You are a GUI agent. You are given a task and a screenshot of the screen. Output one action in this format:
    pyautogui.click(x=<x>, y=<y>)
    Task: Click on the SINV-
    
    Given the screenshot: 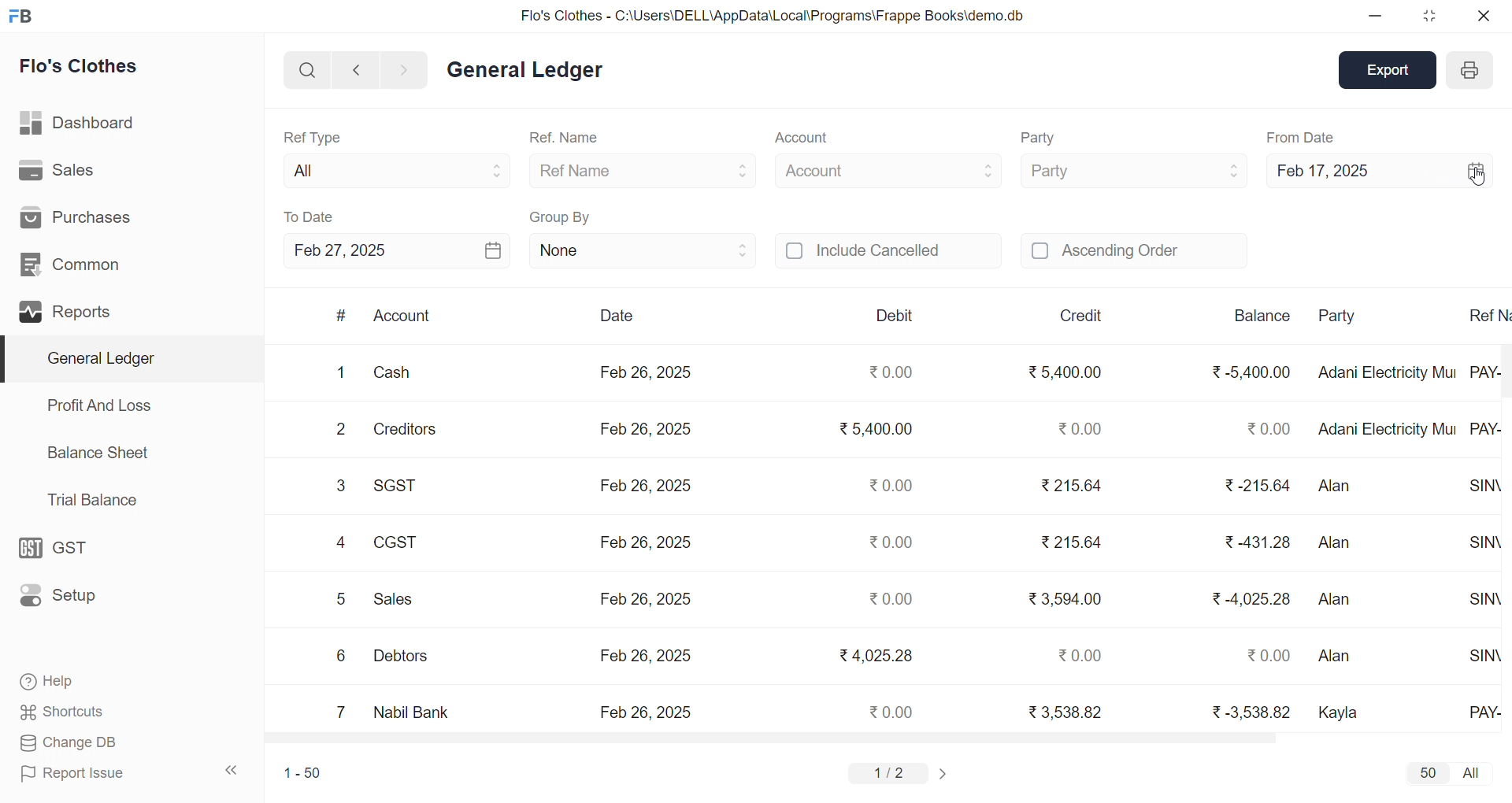 What is the action you would take?
    pyautogui.click(x=1482, y=486)
    